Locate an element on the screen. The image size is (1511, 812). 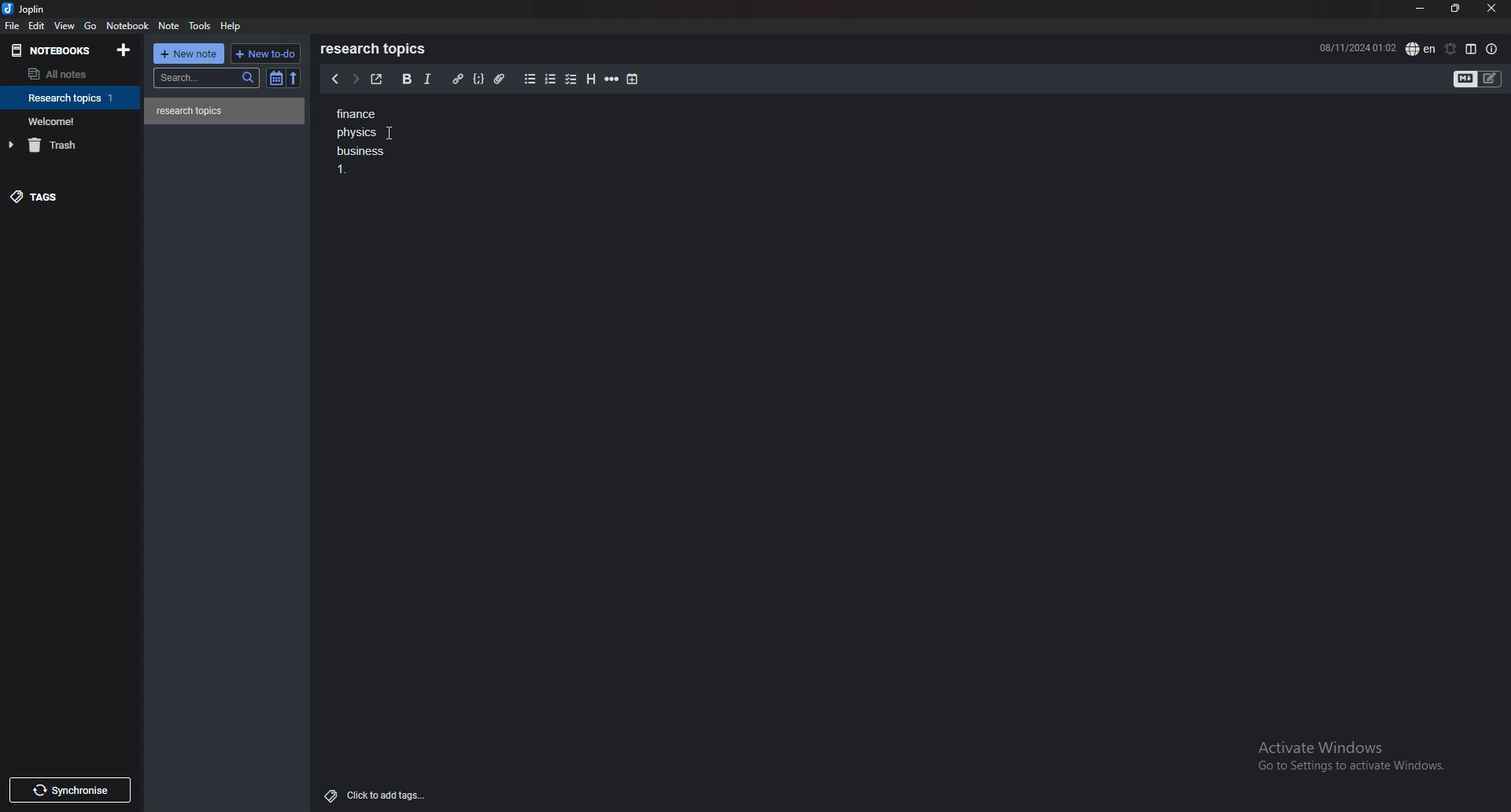
research topics is located at coordinates (376, 49).